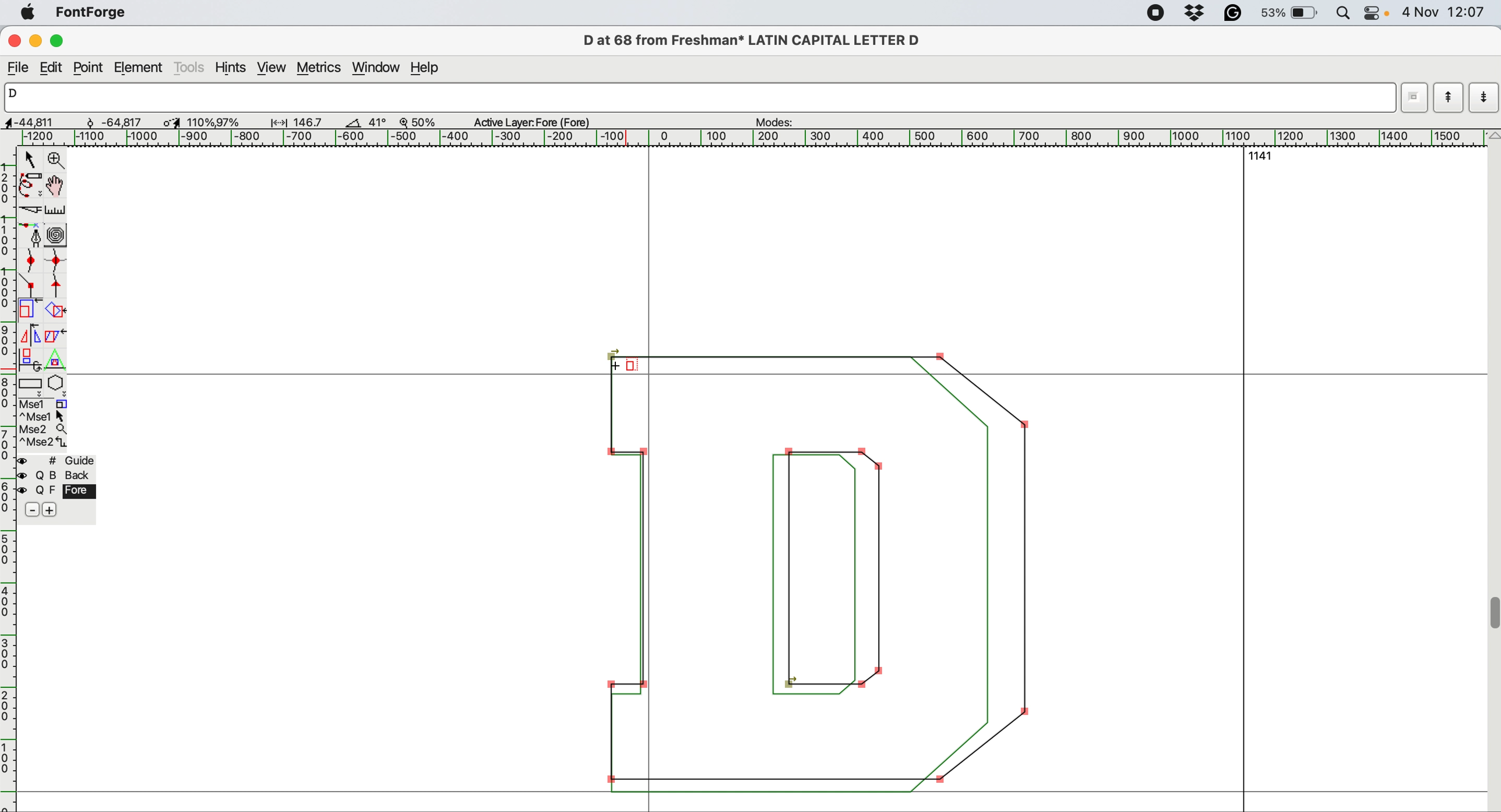 This screenshot has height=812, width=1501. Describe the element at coordinates (168, 121) in the screenshot. I see `dimensions` at that location.